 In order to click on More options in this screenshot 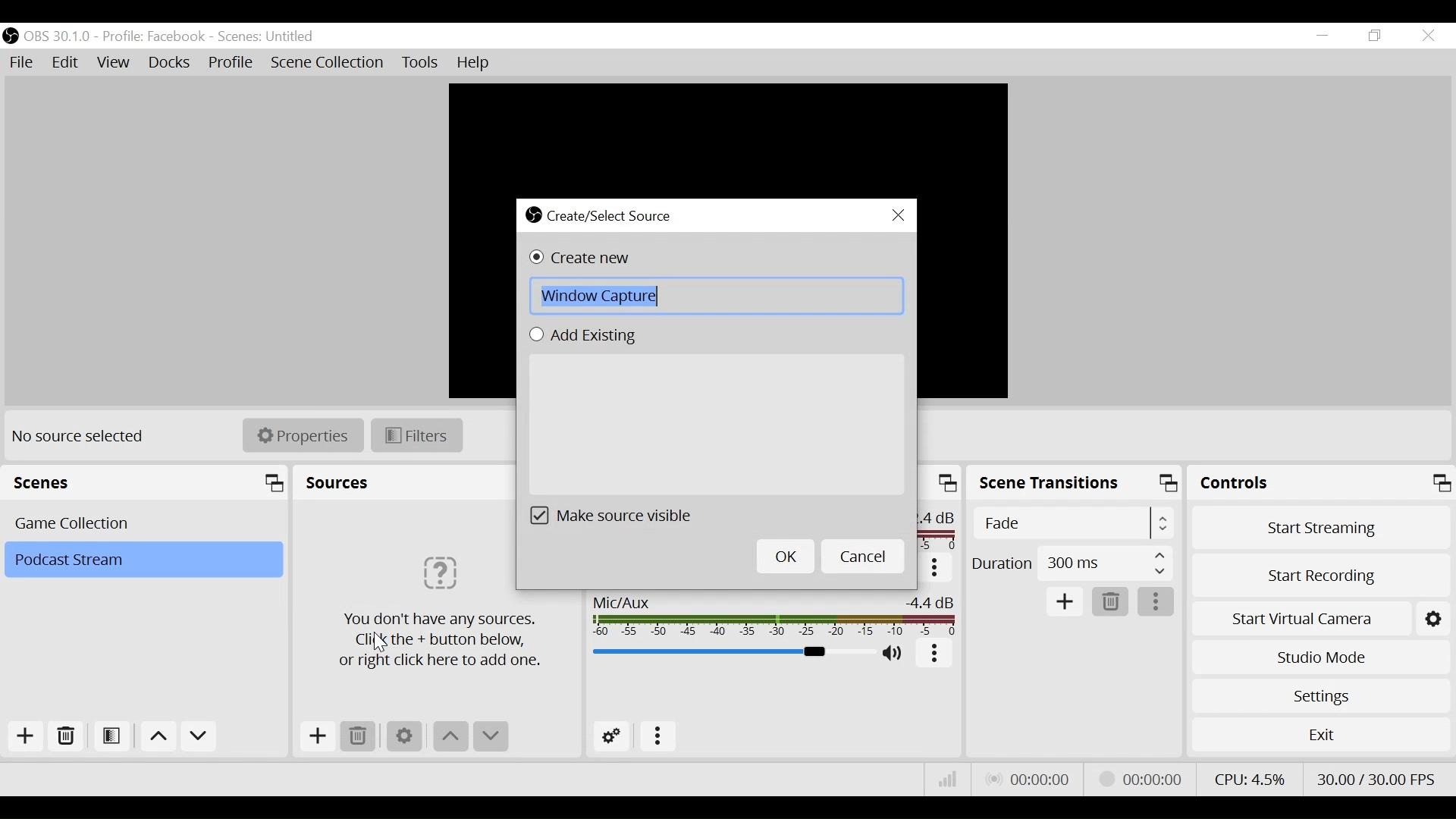, I will do `click(1156, 601)`.